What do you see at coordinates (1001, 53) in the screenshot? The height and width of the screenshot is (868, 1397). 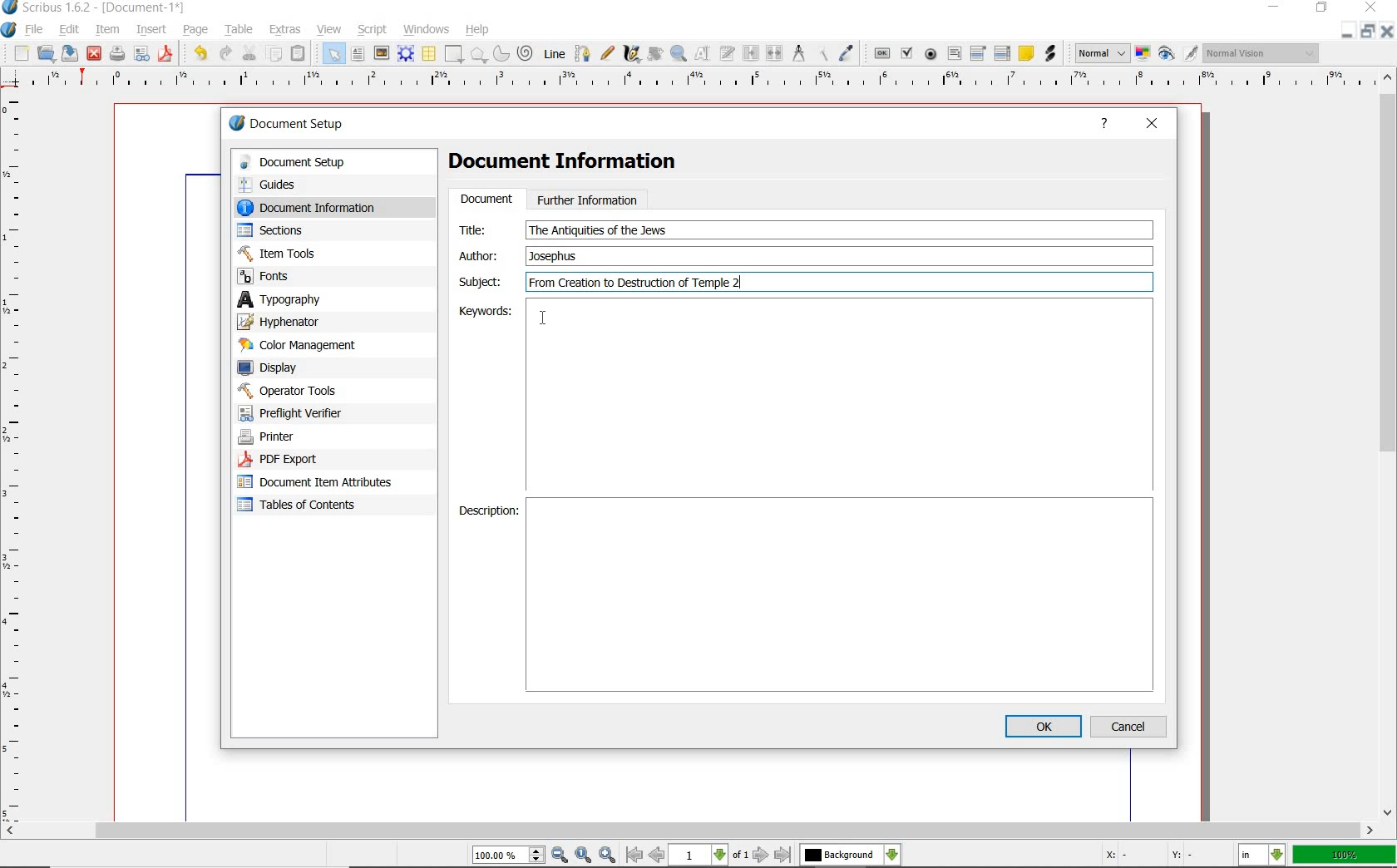 I see `pdf list box` at bounding box center [1001, 53].